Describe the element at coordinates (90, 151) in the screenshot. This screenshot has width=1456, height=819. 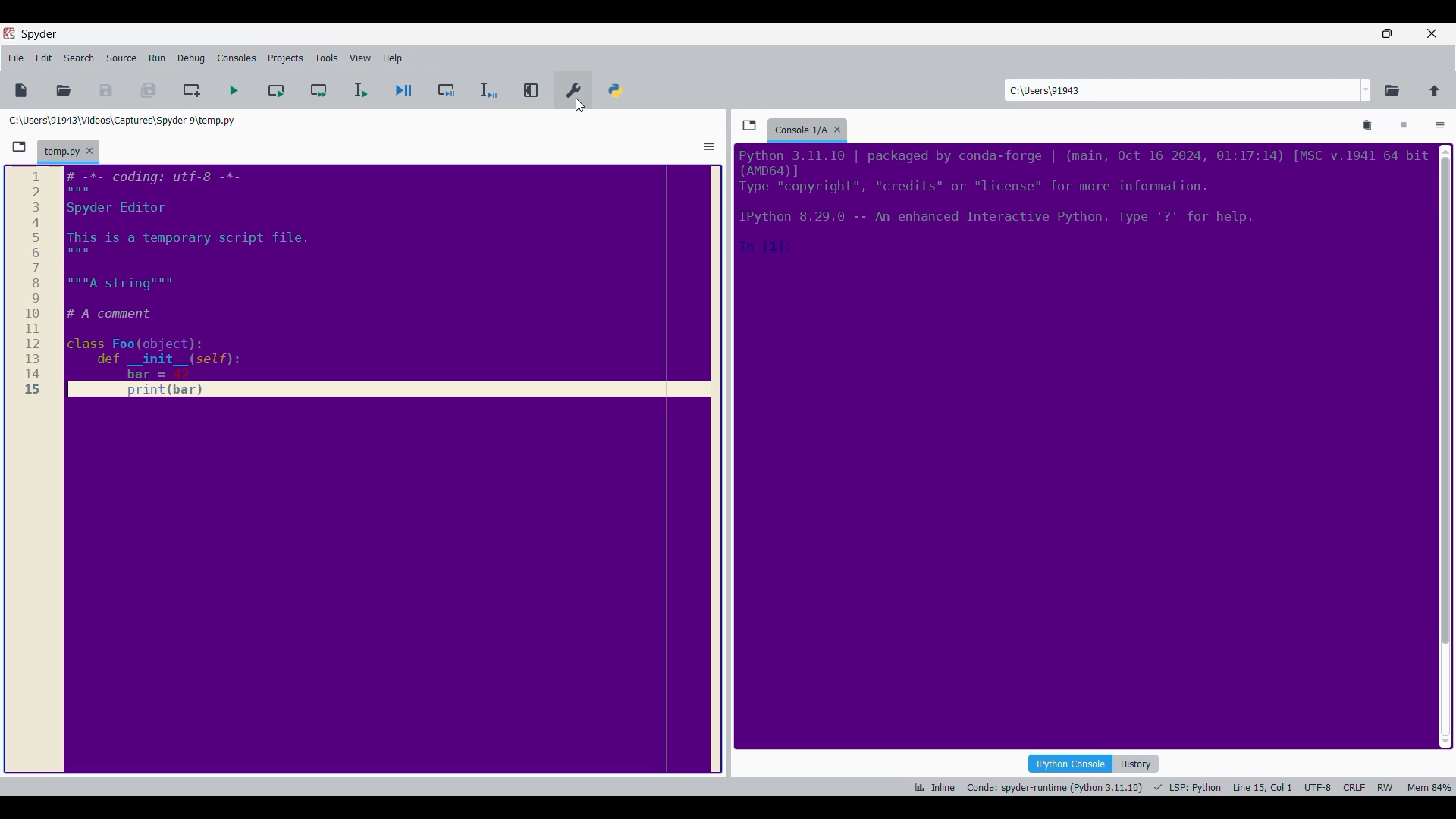
I see `Close tab` at that location.